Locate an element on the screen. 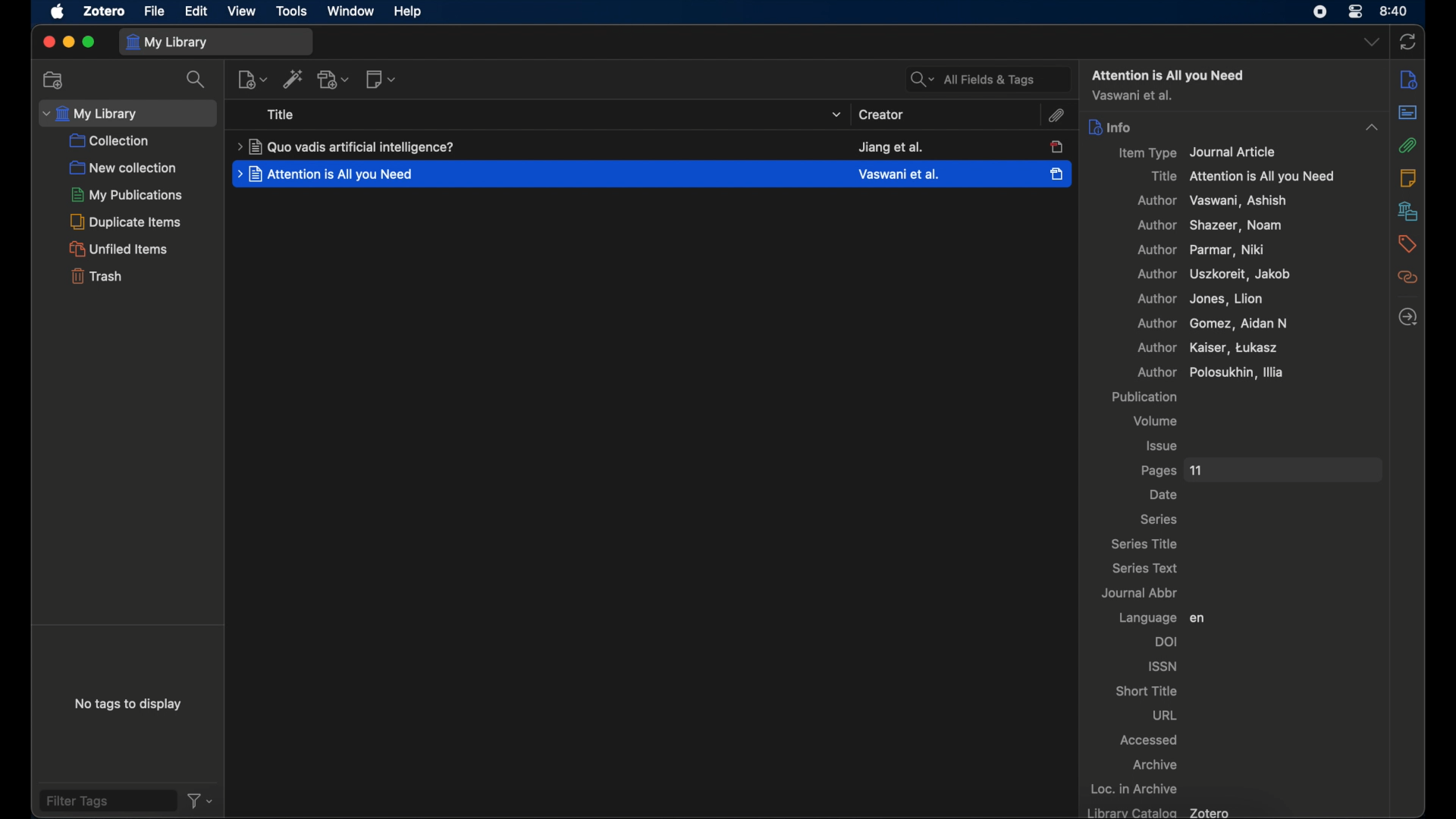 The image size is (1456, 819). author vaswani, ashish is located at coordinates (1212, 201).